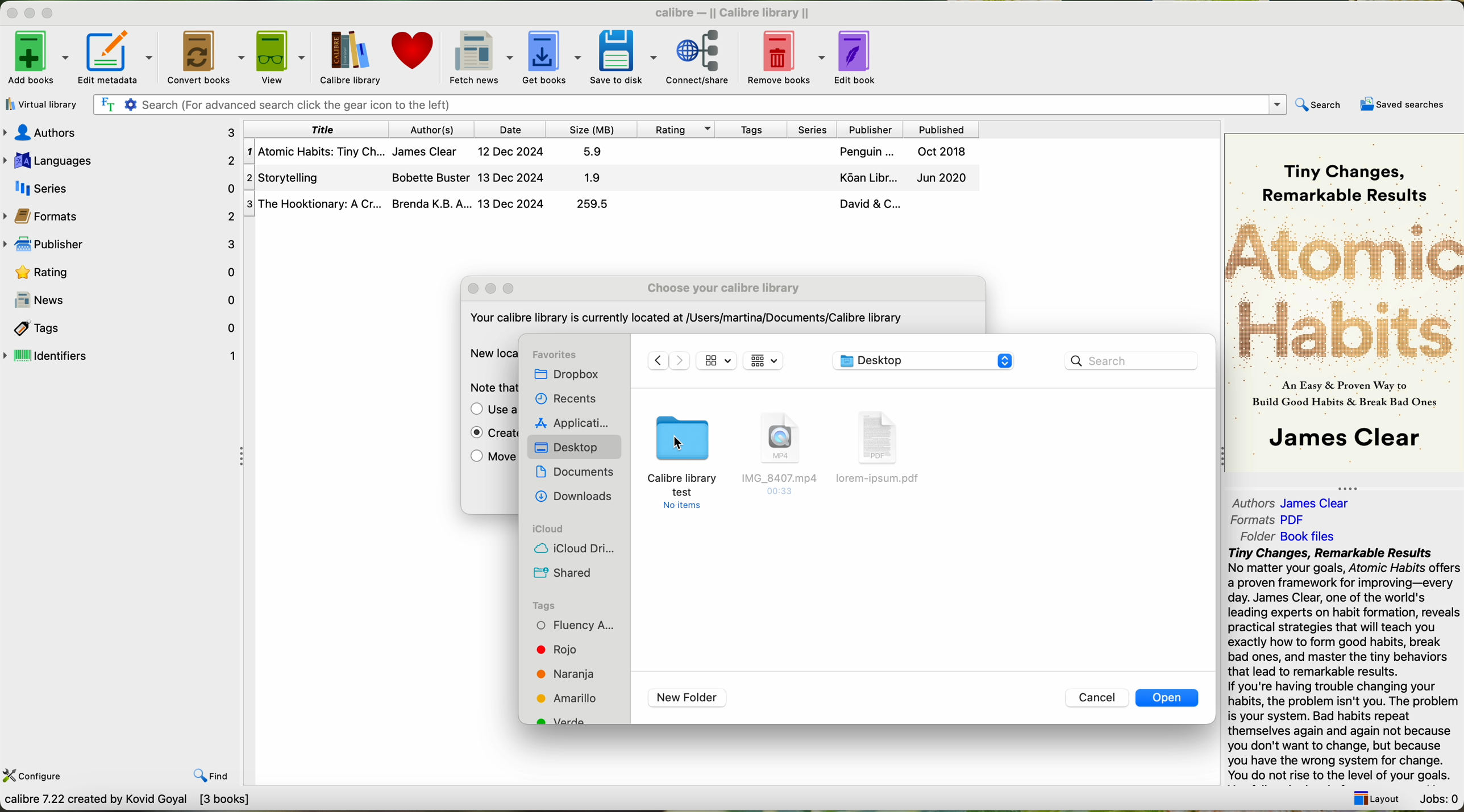 The image size is (1464, 812). Describe the element at coordinates (723, 288) in the screenshot. I see `choose your calibre library` at that location.